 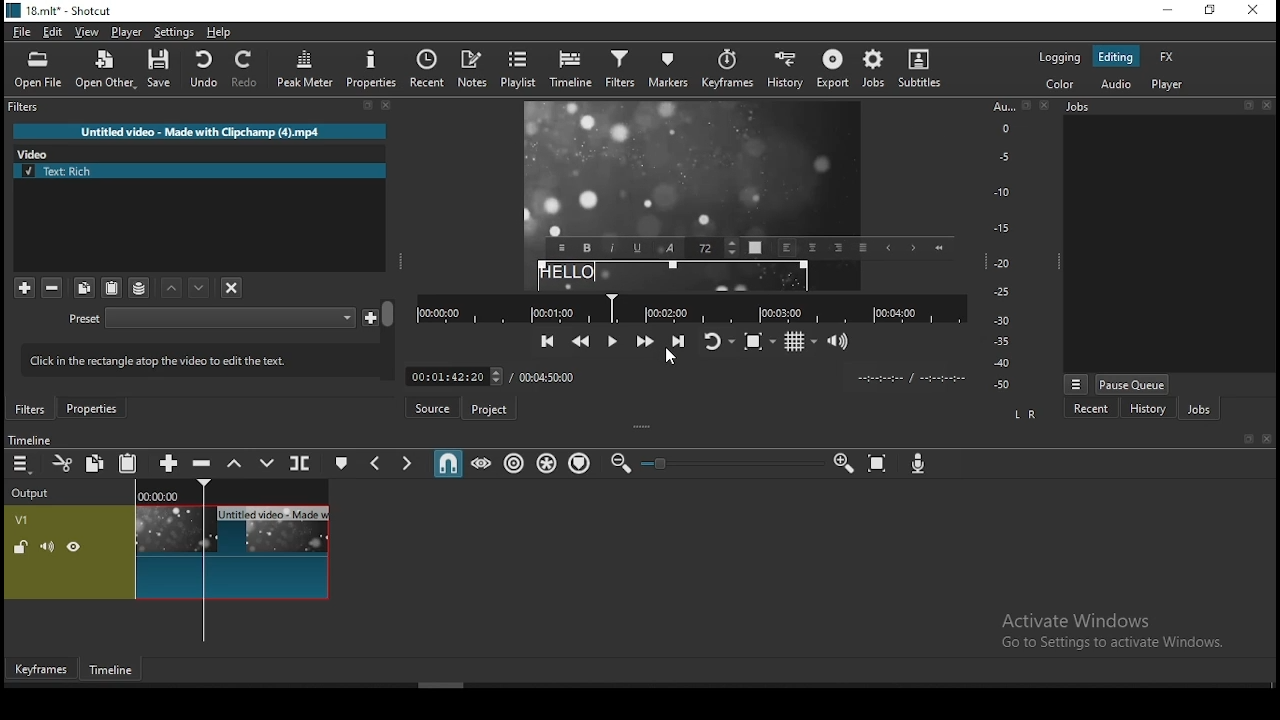 I want to click on jobs, so click(x=875, y=70).